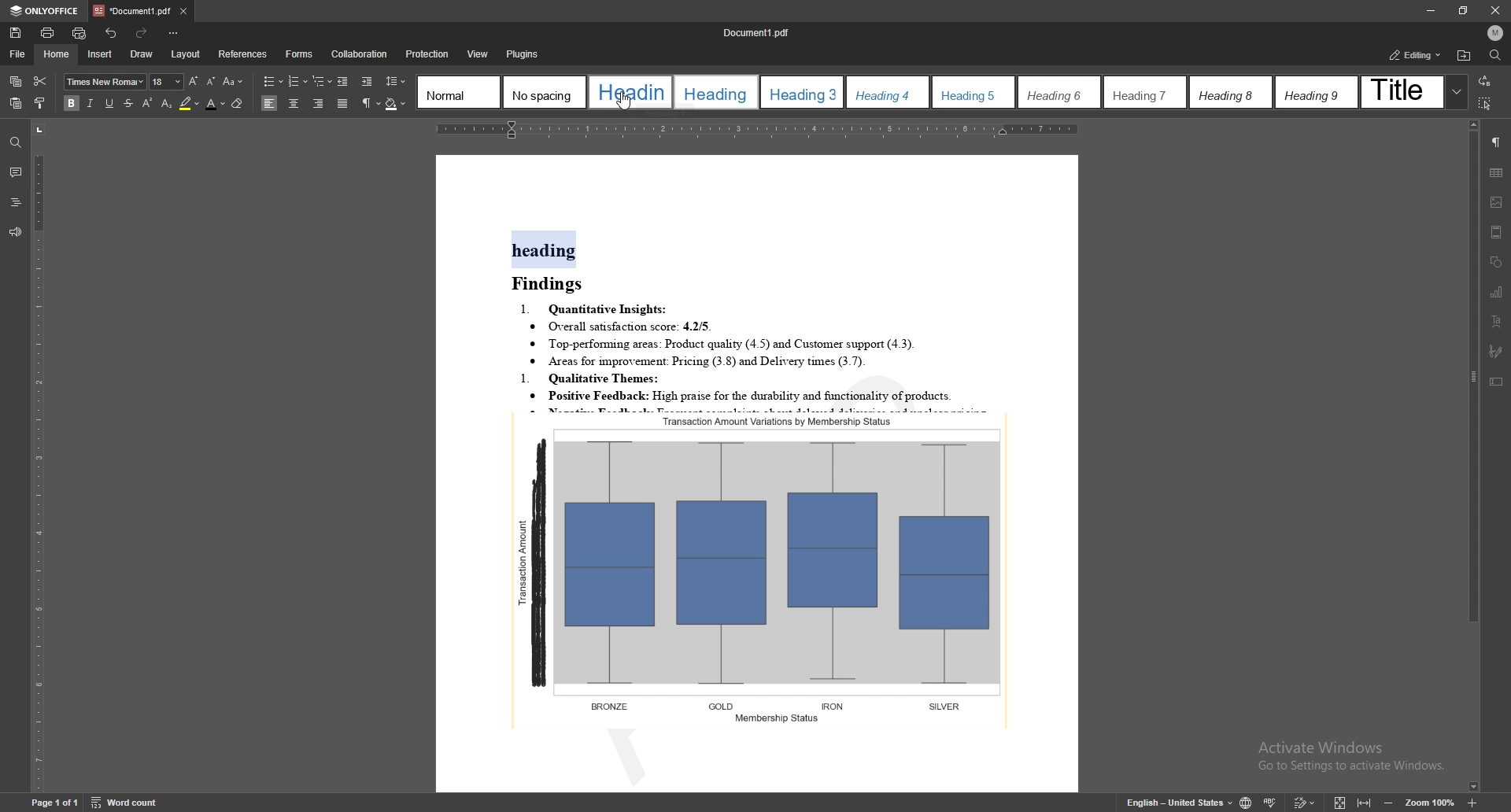  Describe the element at coordinates (216, 104) in the screenshot. I see `font color` at that location.